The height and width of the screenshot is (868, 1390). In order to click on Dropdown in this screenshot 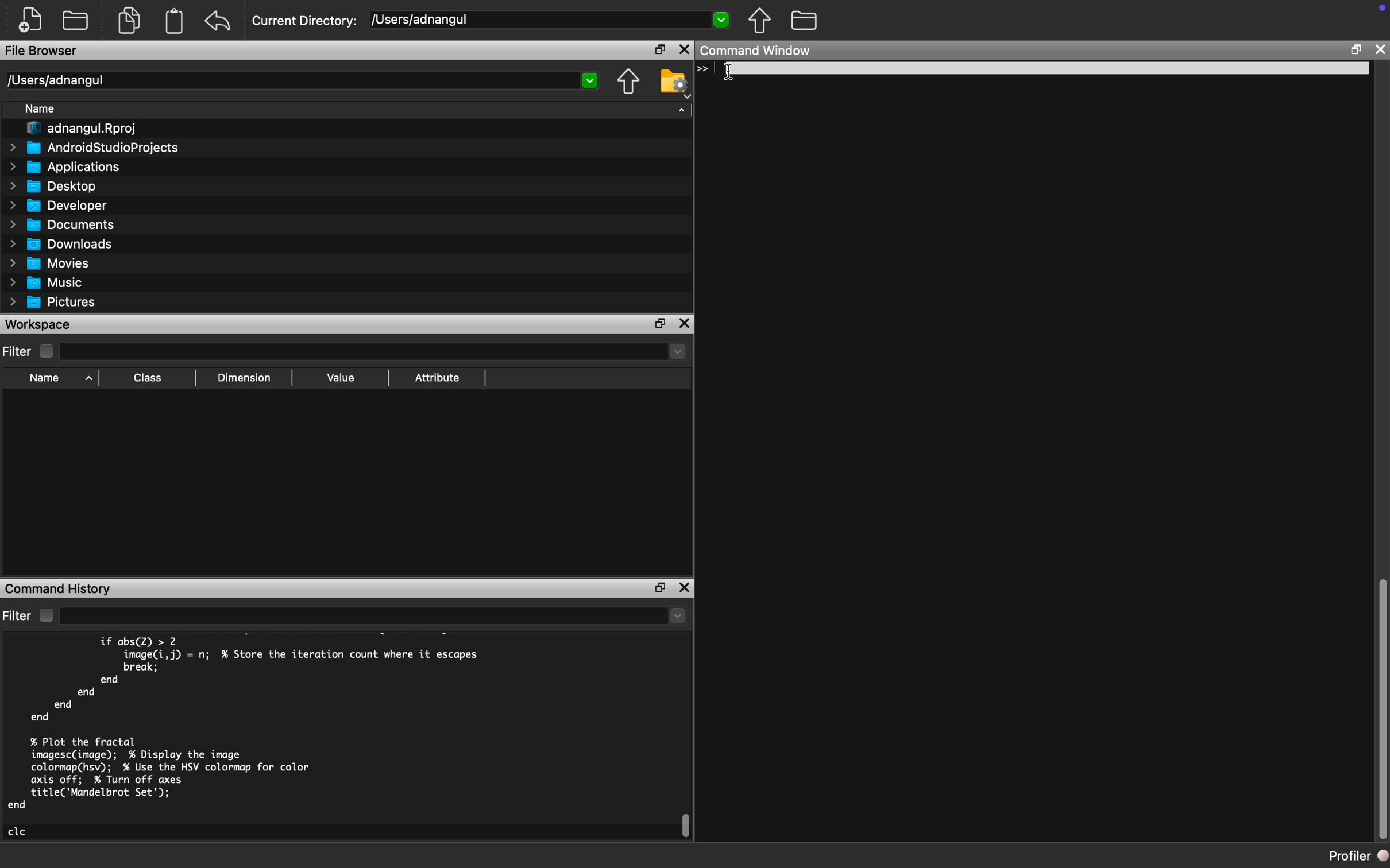, I will do `click(374, 615)`.